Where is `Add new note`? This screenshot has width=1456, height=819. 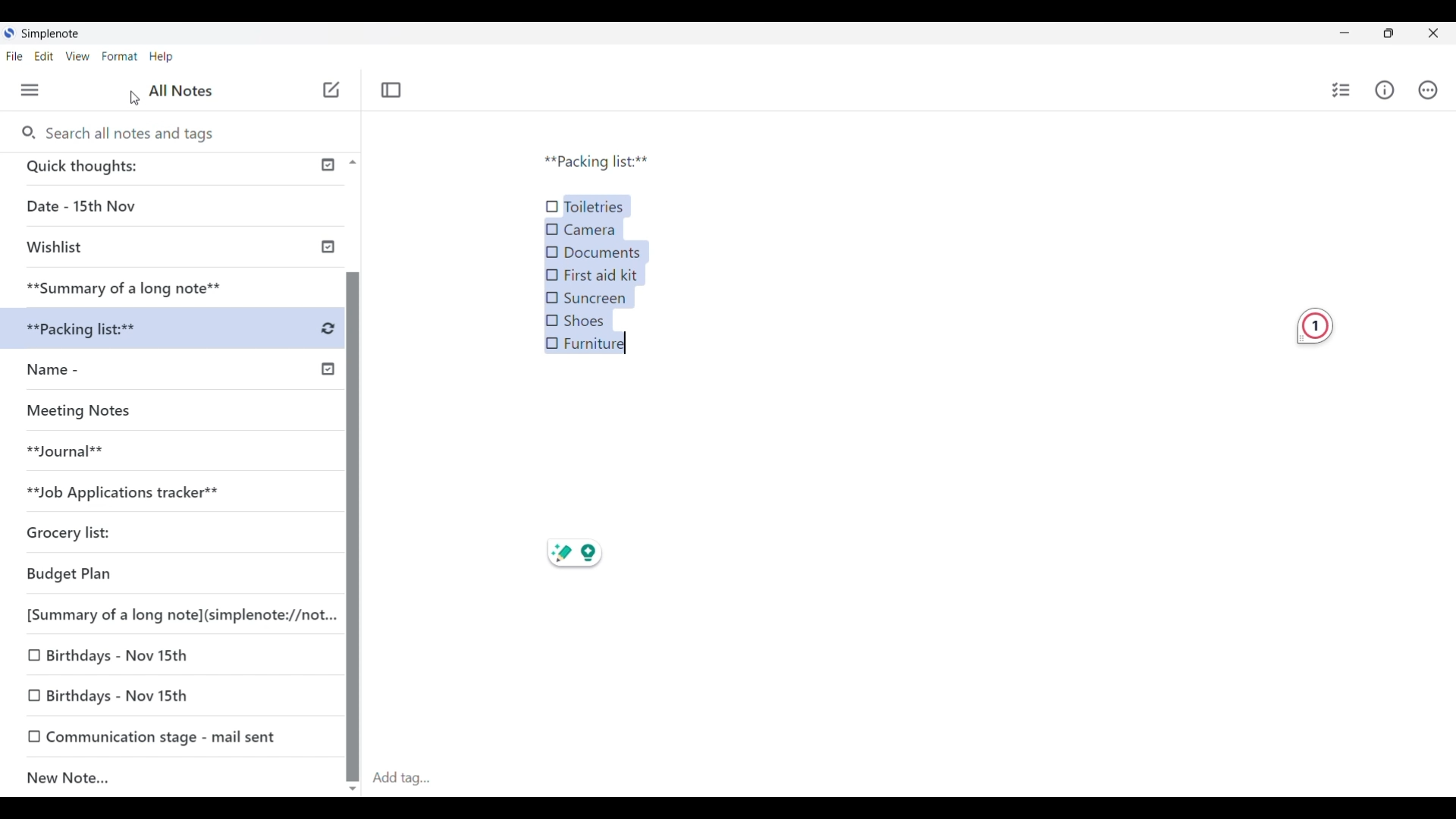
Add new note is located at coordinates (331, 89).